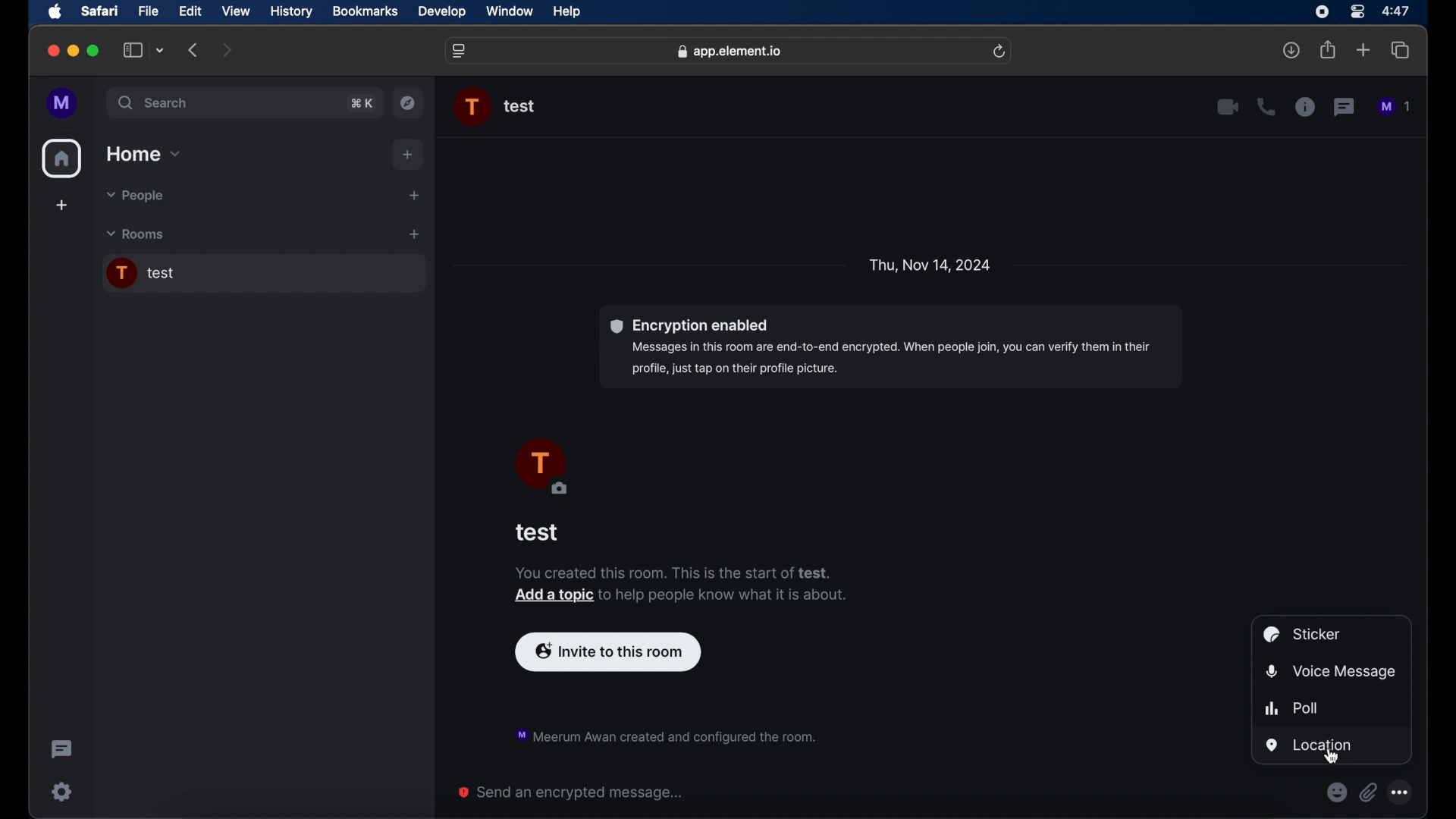  What do you see at coordinates (1331, 754) in the screenshot?
I see `Cursor` at bounding box center [1331, 754].